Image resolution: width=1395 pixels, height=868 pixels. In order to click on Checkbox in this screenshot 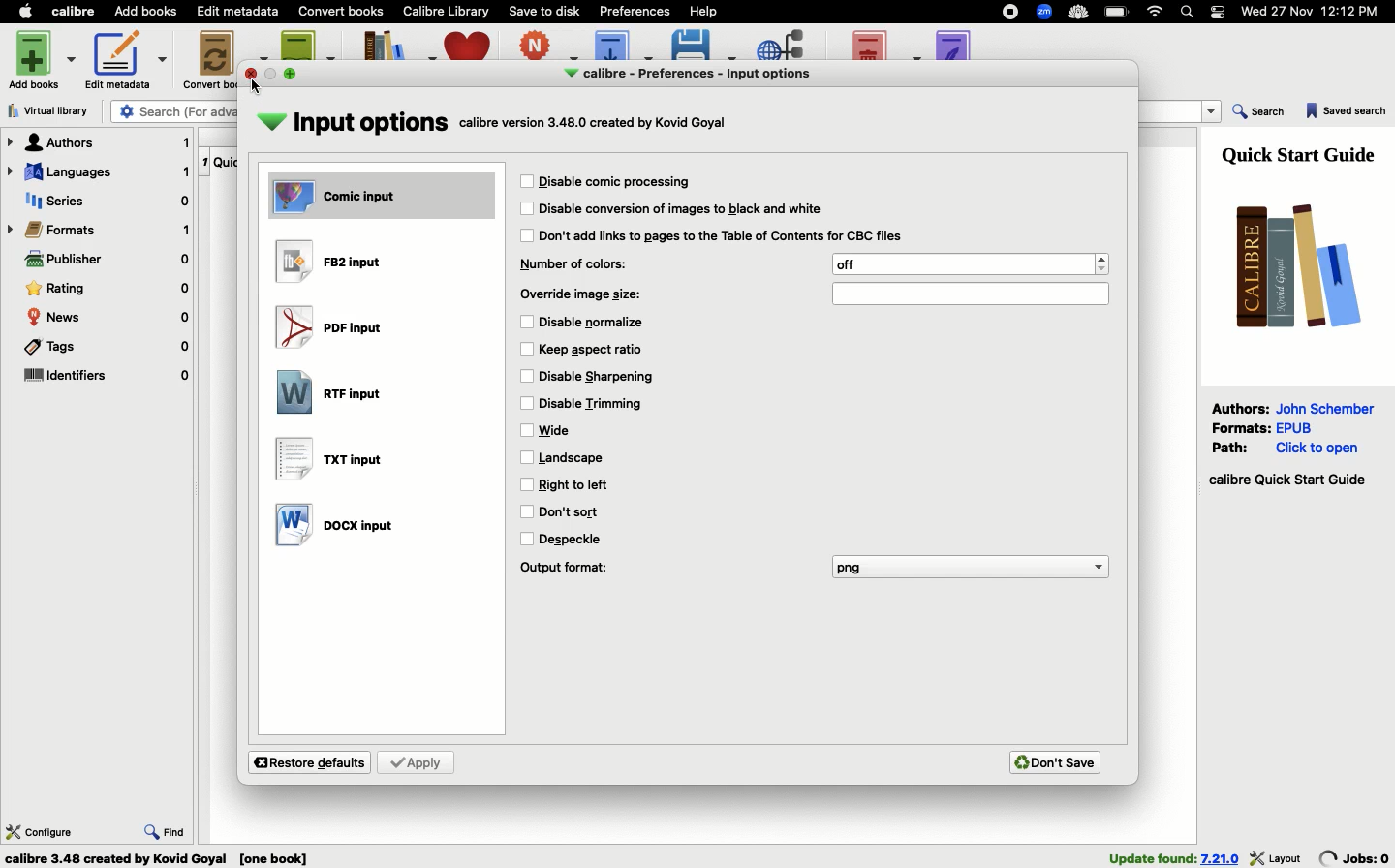, I will do `click(526, 209)`.